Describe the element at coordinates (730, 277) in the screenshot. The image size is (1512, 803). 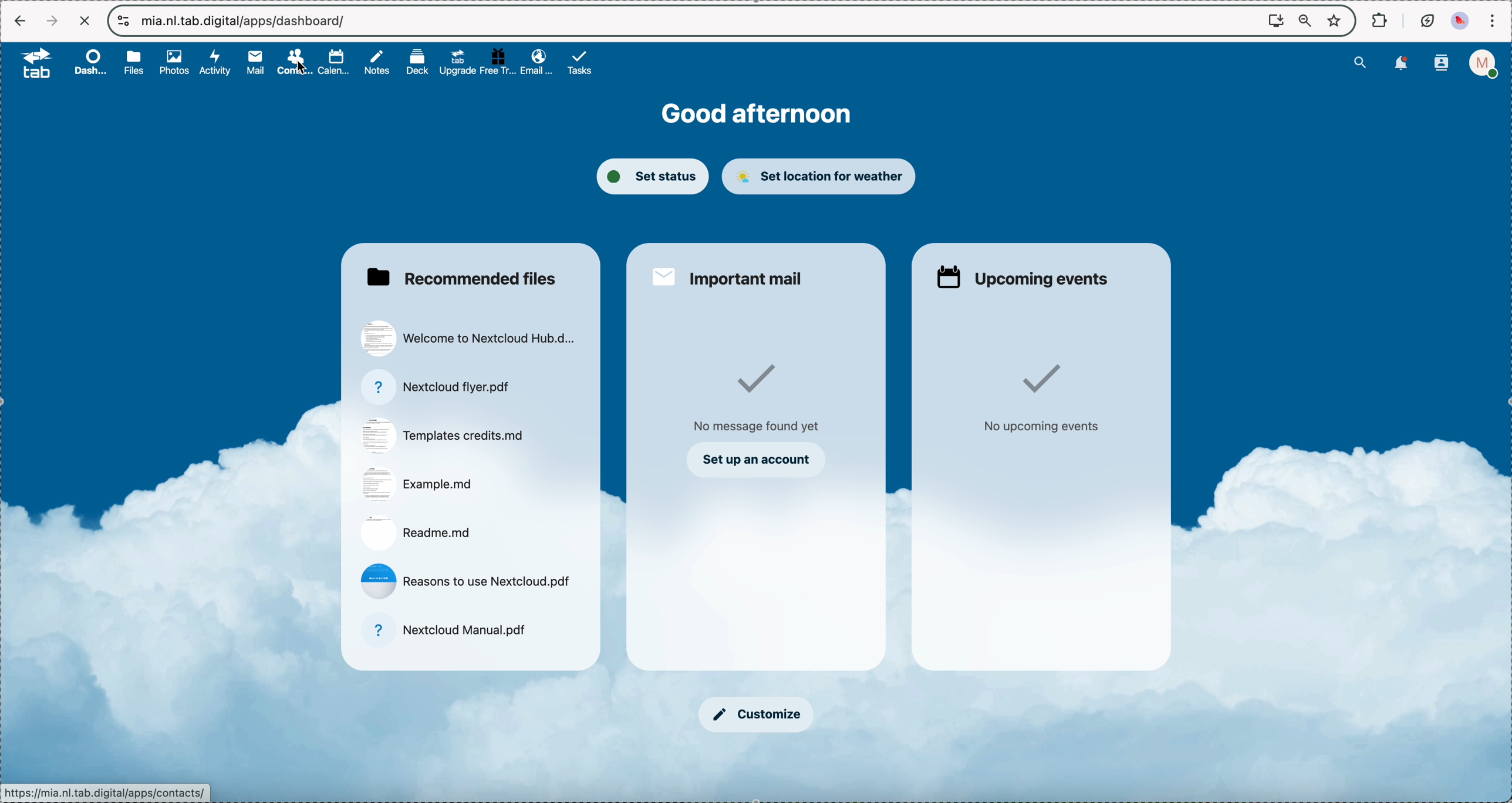
I see `important mail` at that location.